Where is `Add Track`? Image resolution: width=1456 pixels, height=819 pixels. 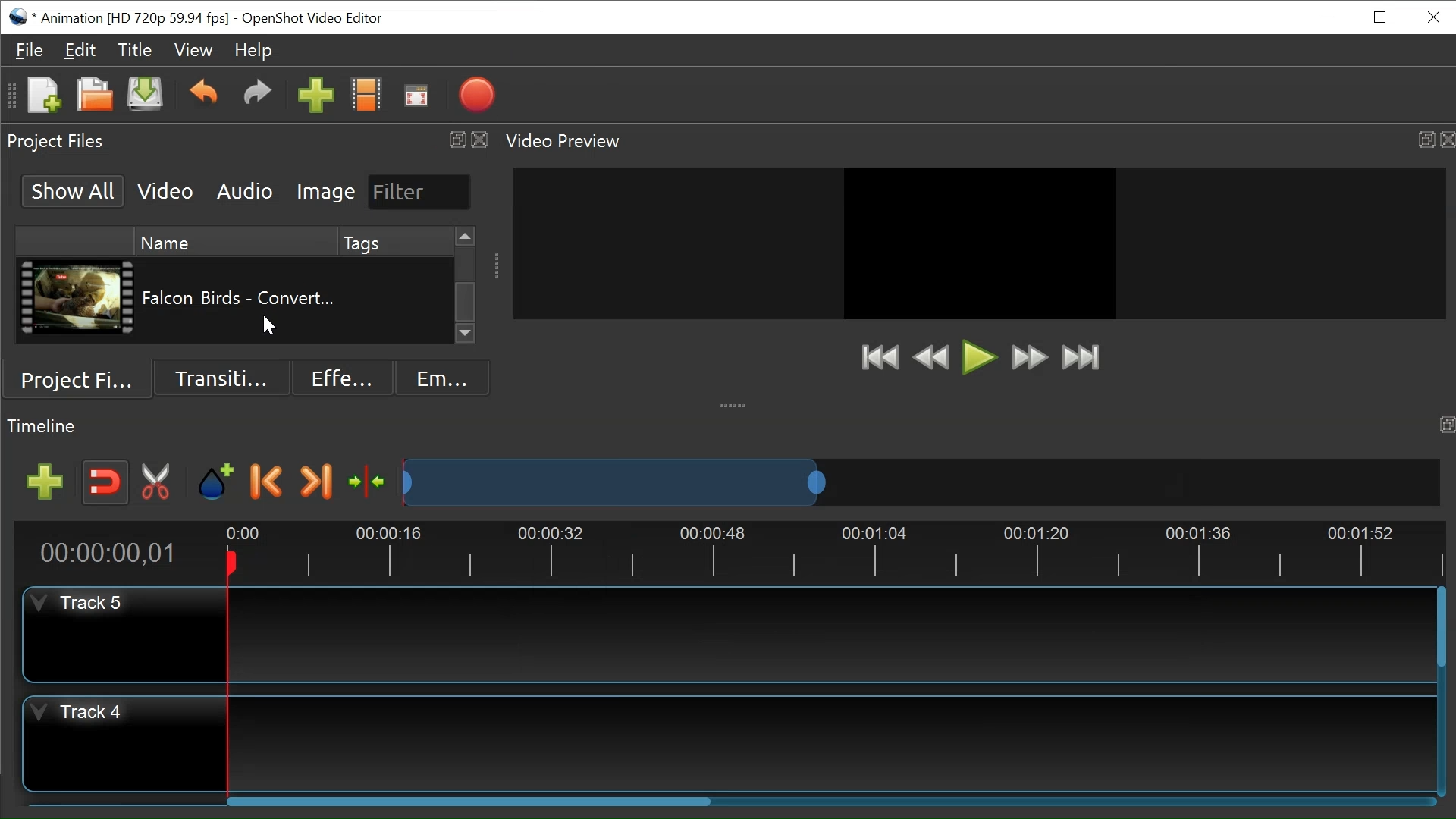 Add Track is located at coordinates (45, 482).